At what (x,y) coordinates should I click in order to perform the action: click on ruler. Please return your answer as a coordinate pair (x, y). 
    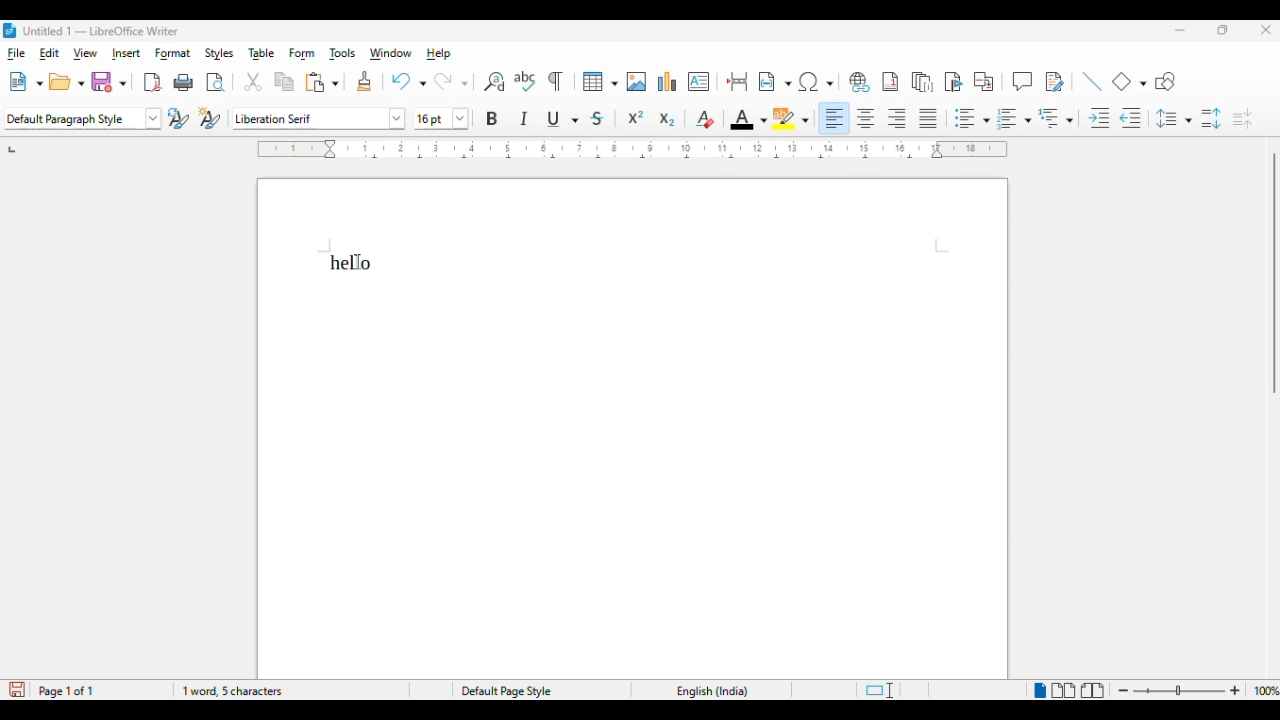
    Looking at the image, I should click on (630, 149).